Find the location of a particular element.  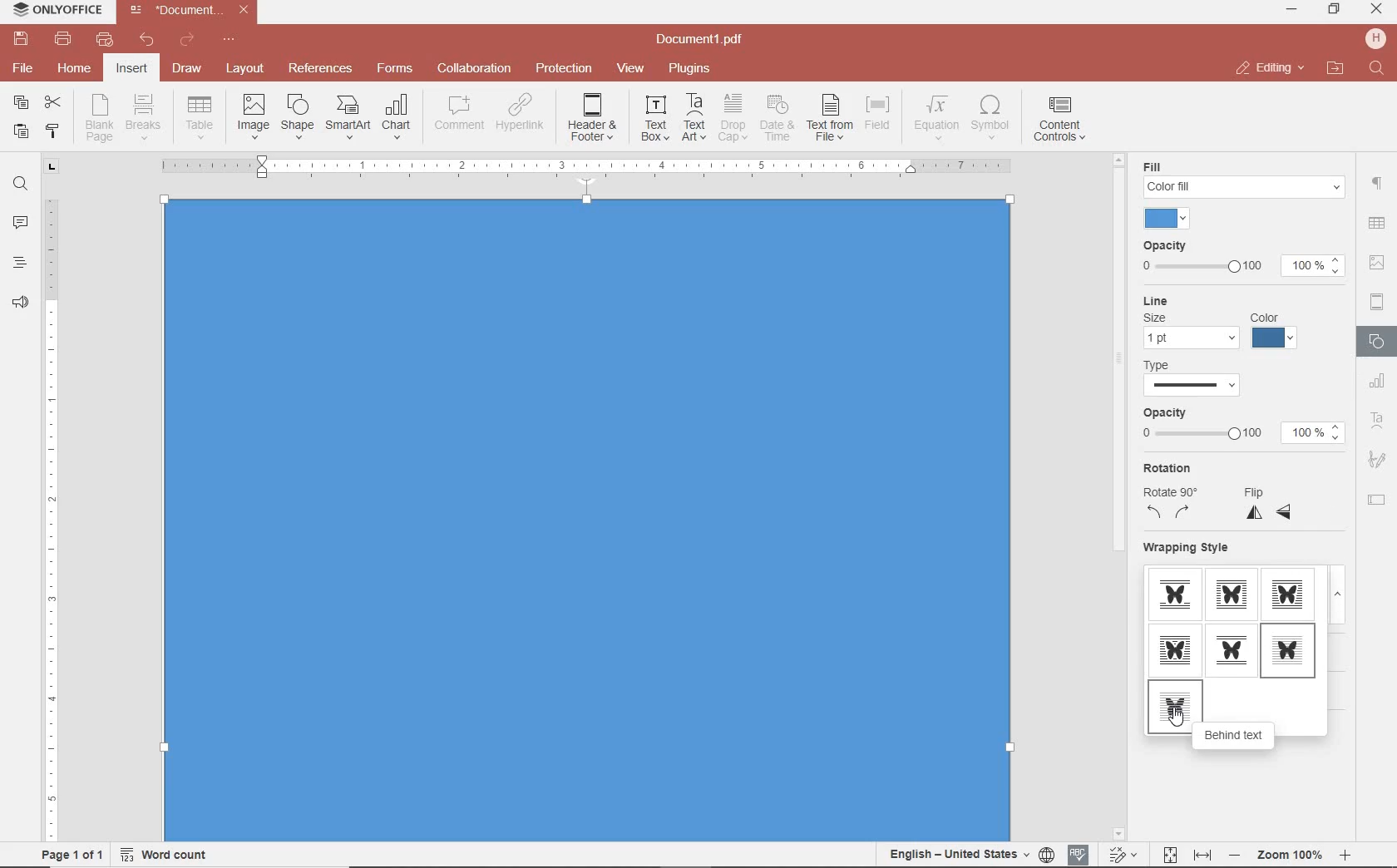

heading is located at coordinates (20, 262).